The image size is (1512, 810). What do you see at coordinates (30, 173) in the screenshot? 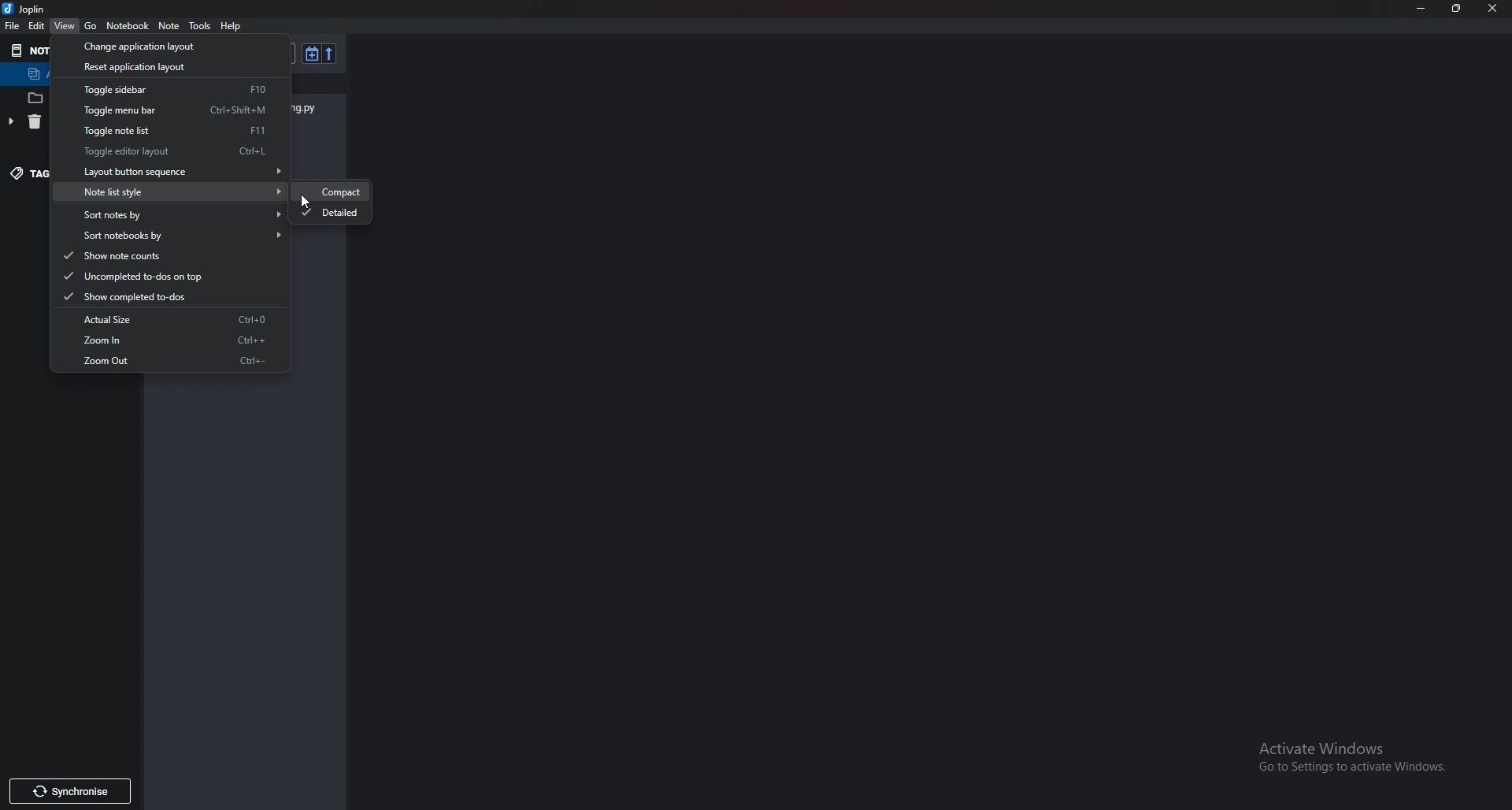
I see `tag` at bounding box center [30, 173].